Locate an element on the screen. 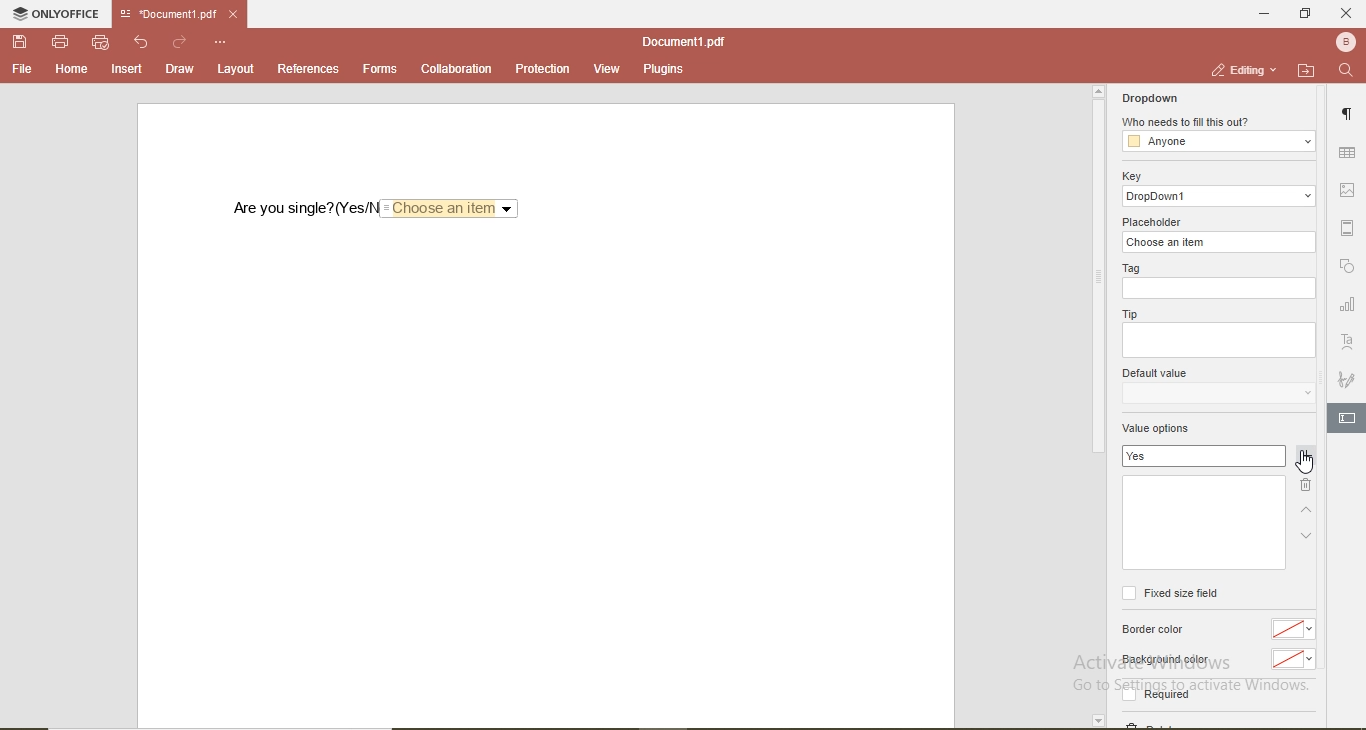  choose an item is located at coordinates (1216, 243).